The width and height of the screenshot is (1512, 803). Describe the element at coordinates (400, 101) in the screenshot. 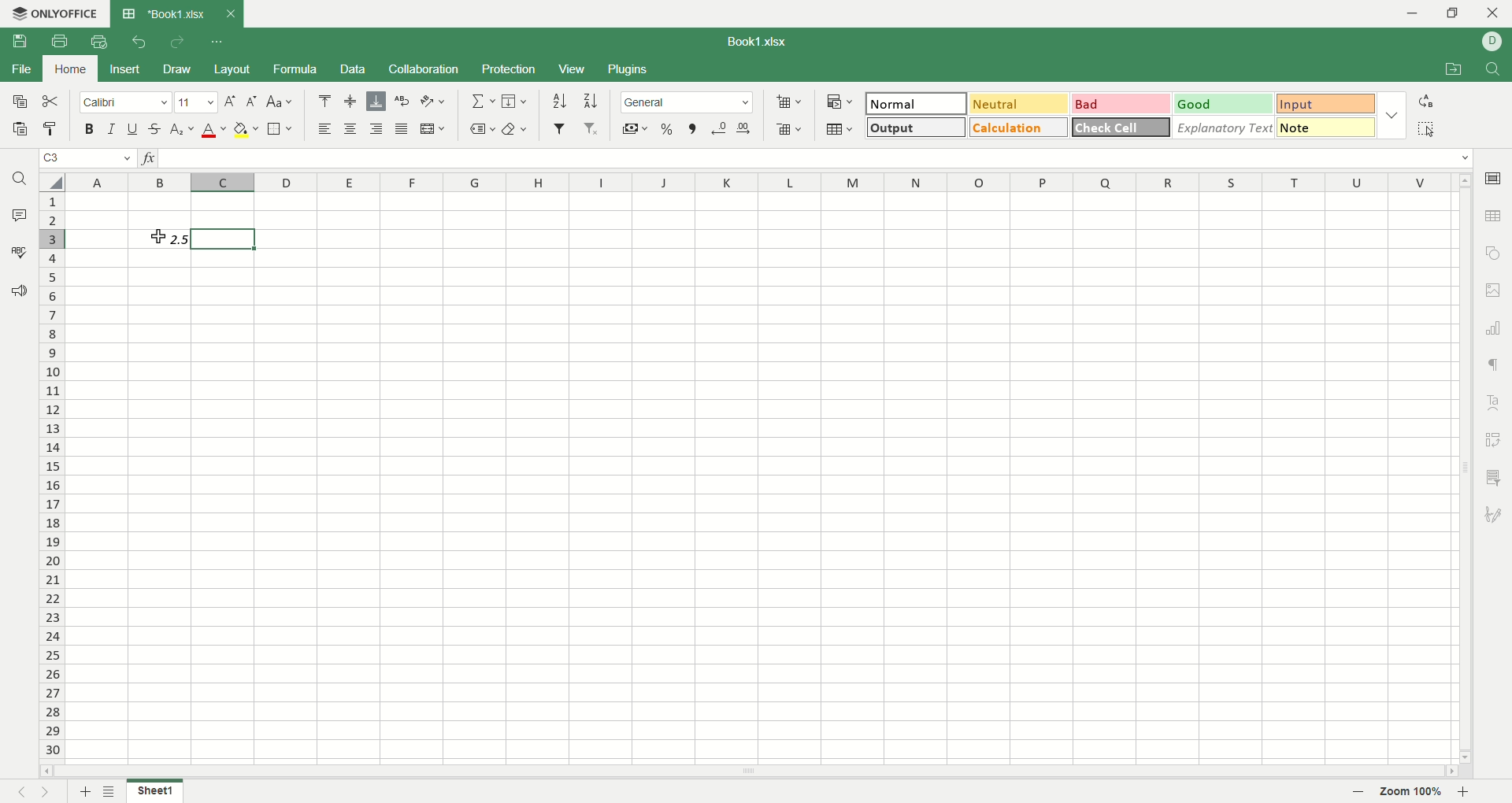

I see `wrap text` at that location.